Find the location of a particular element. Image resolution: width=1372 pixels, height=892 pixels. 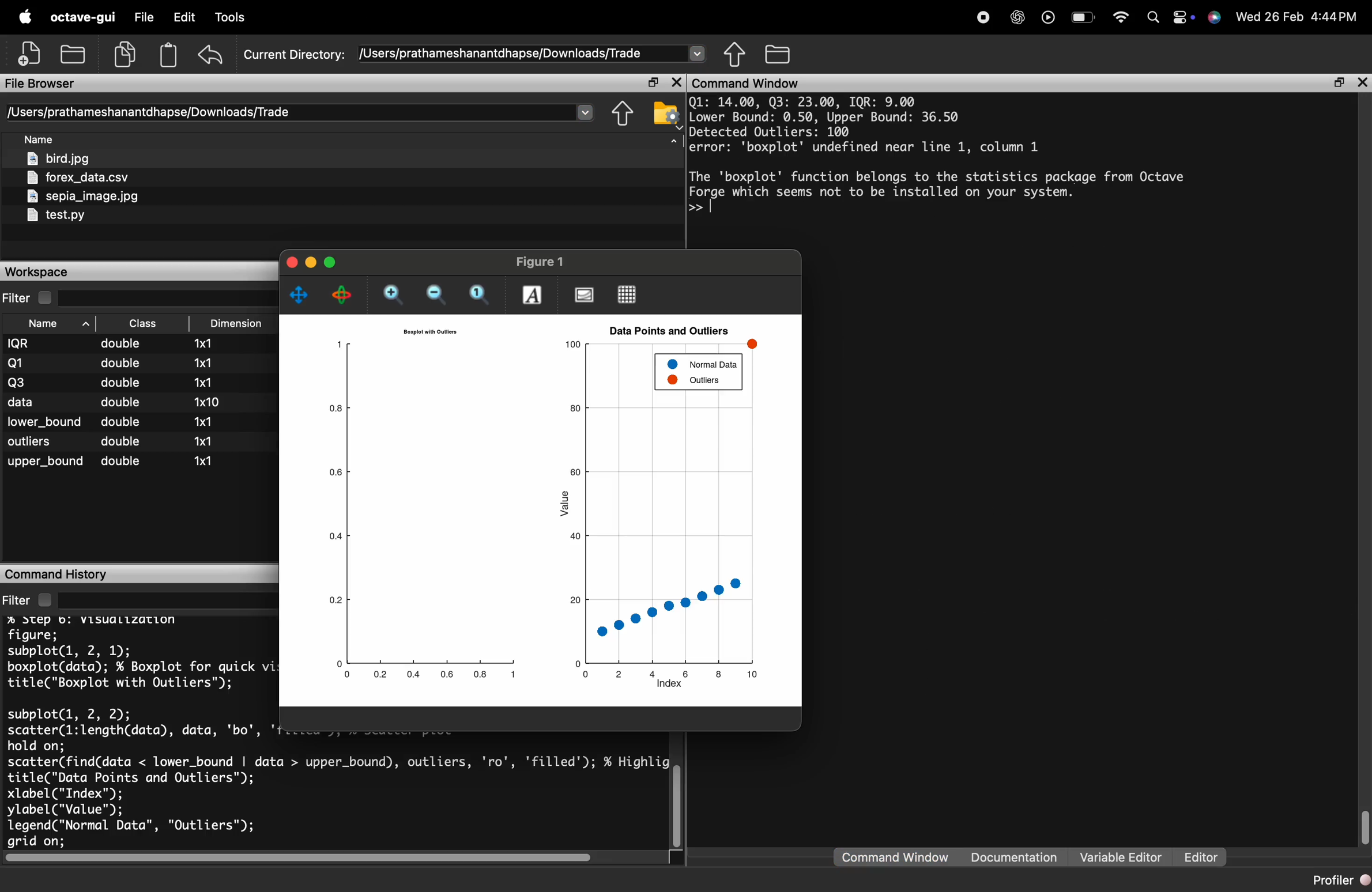

[e)] double 1x1 is located at coordinates (117, 362).